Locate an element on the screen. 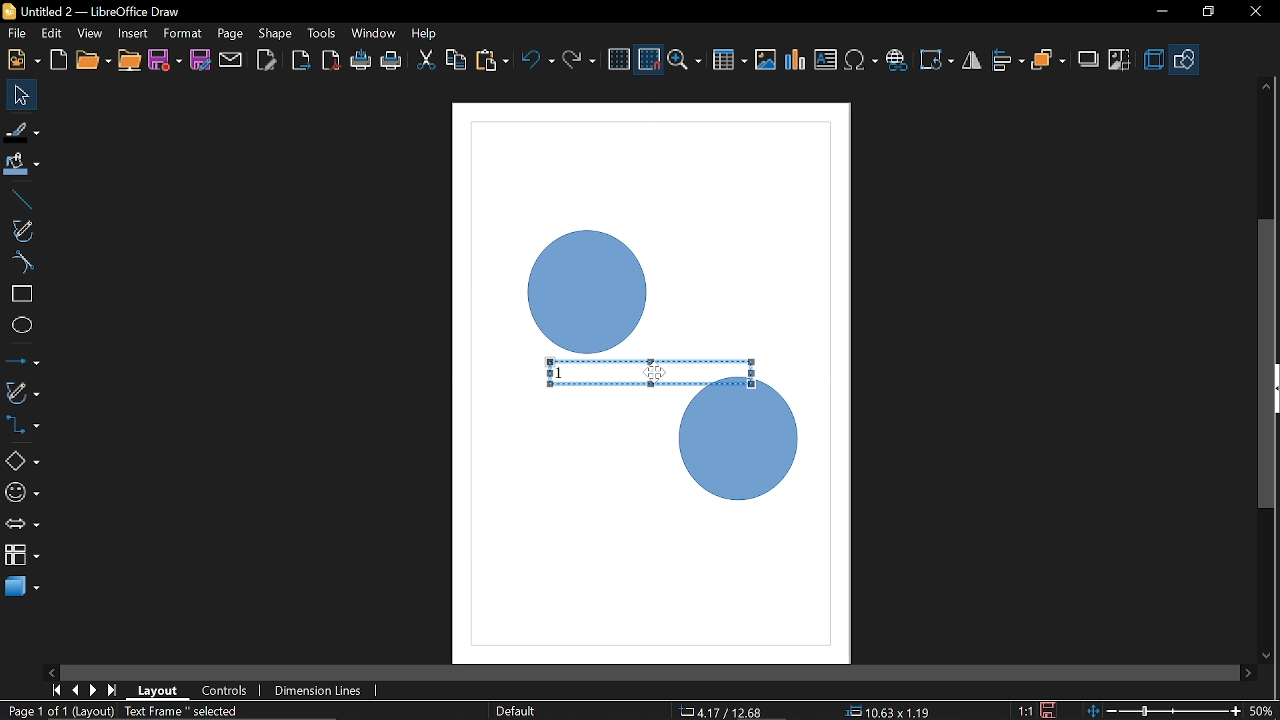  Move left is located at coordinates (50, 669).